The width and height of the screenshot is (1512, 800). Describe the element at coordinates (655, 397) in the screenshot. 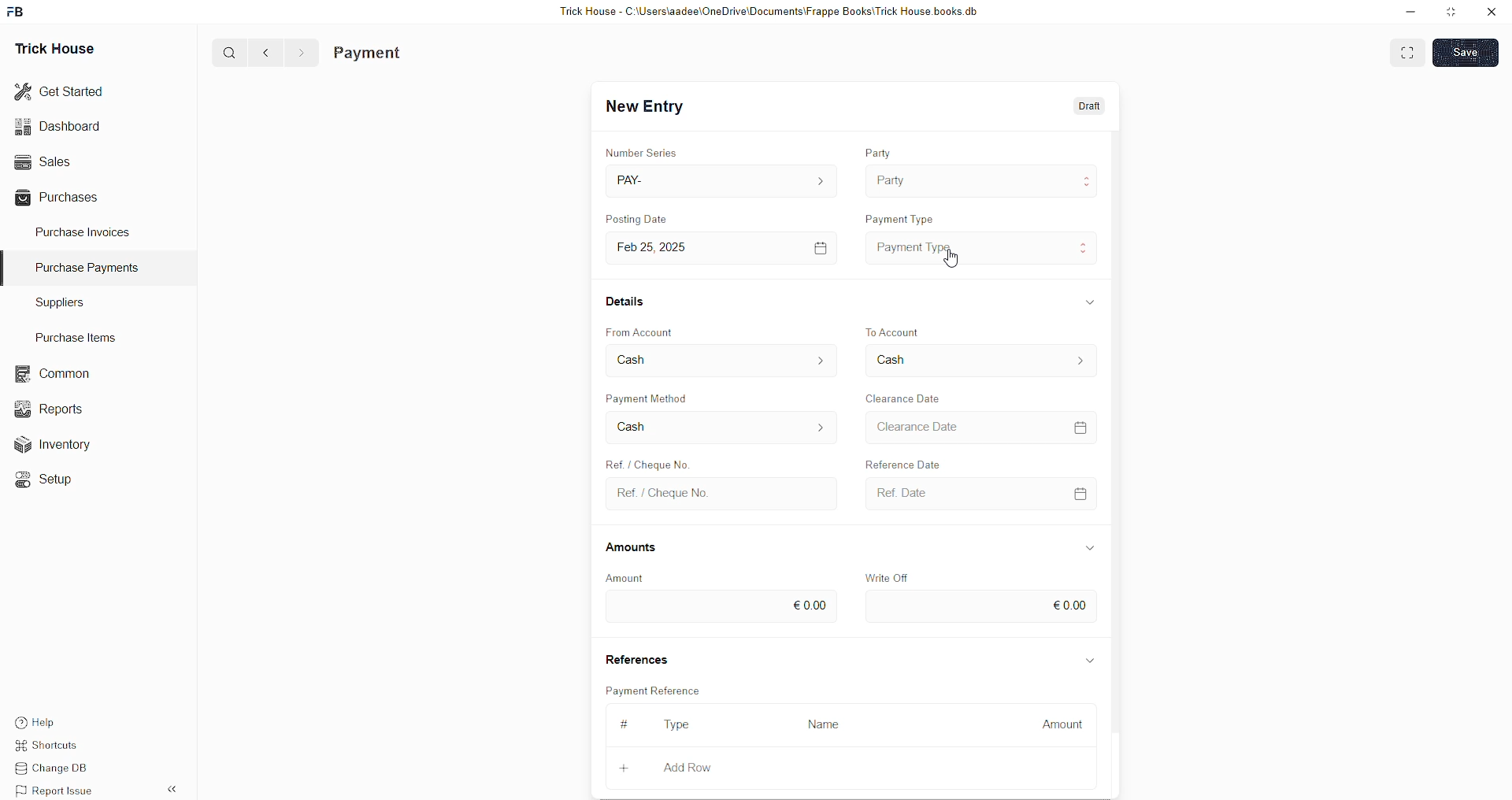

I see `Payment Method` at that location.